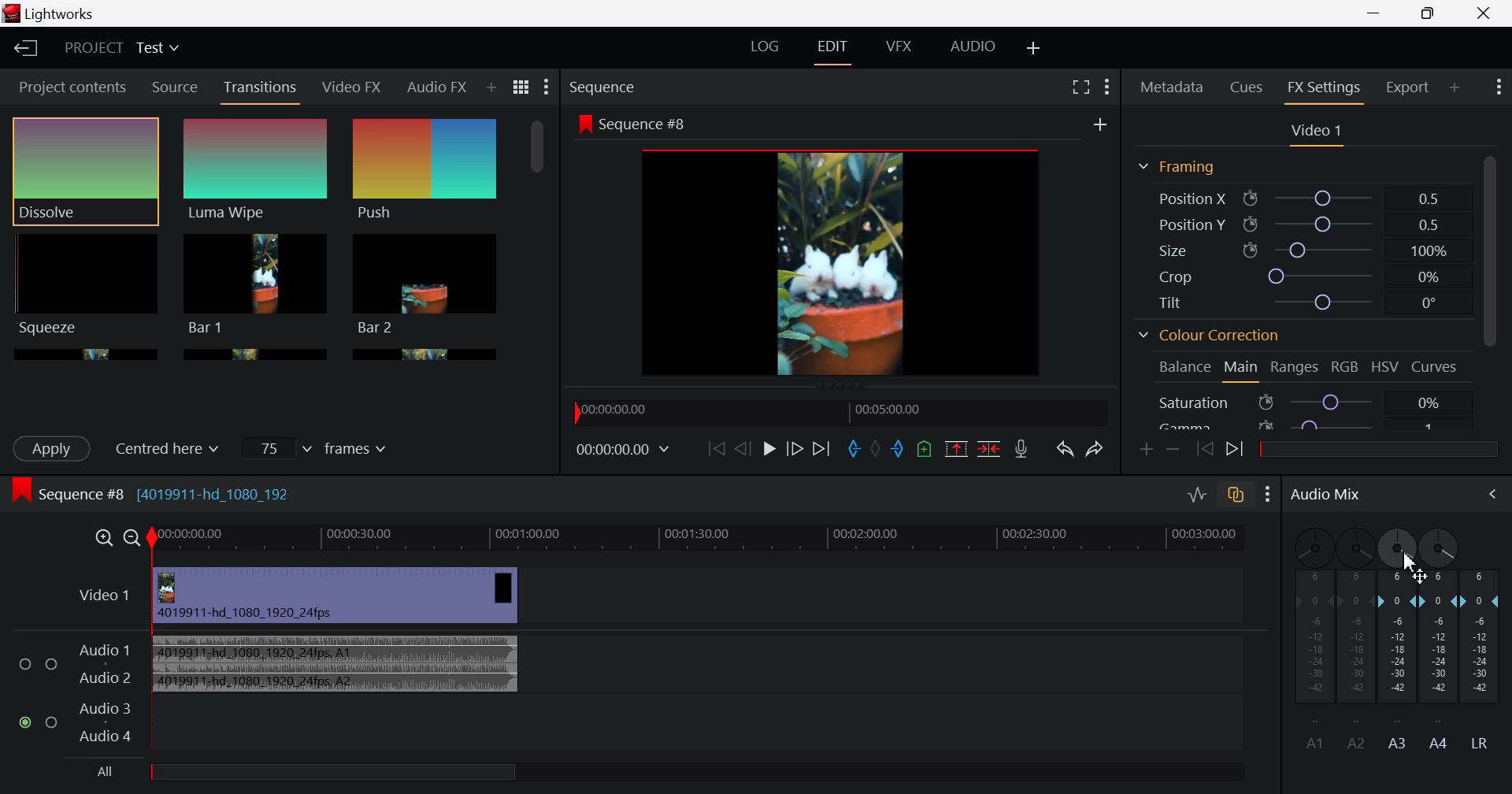  What do you see at coordinates (1196, 497) in the screenshot?
I see `Toggle audio levels editing` at bounding box center [1196, 497].